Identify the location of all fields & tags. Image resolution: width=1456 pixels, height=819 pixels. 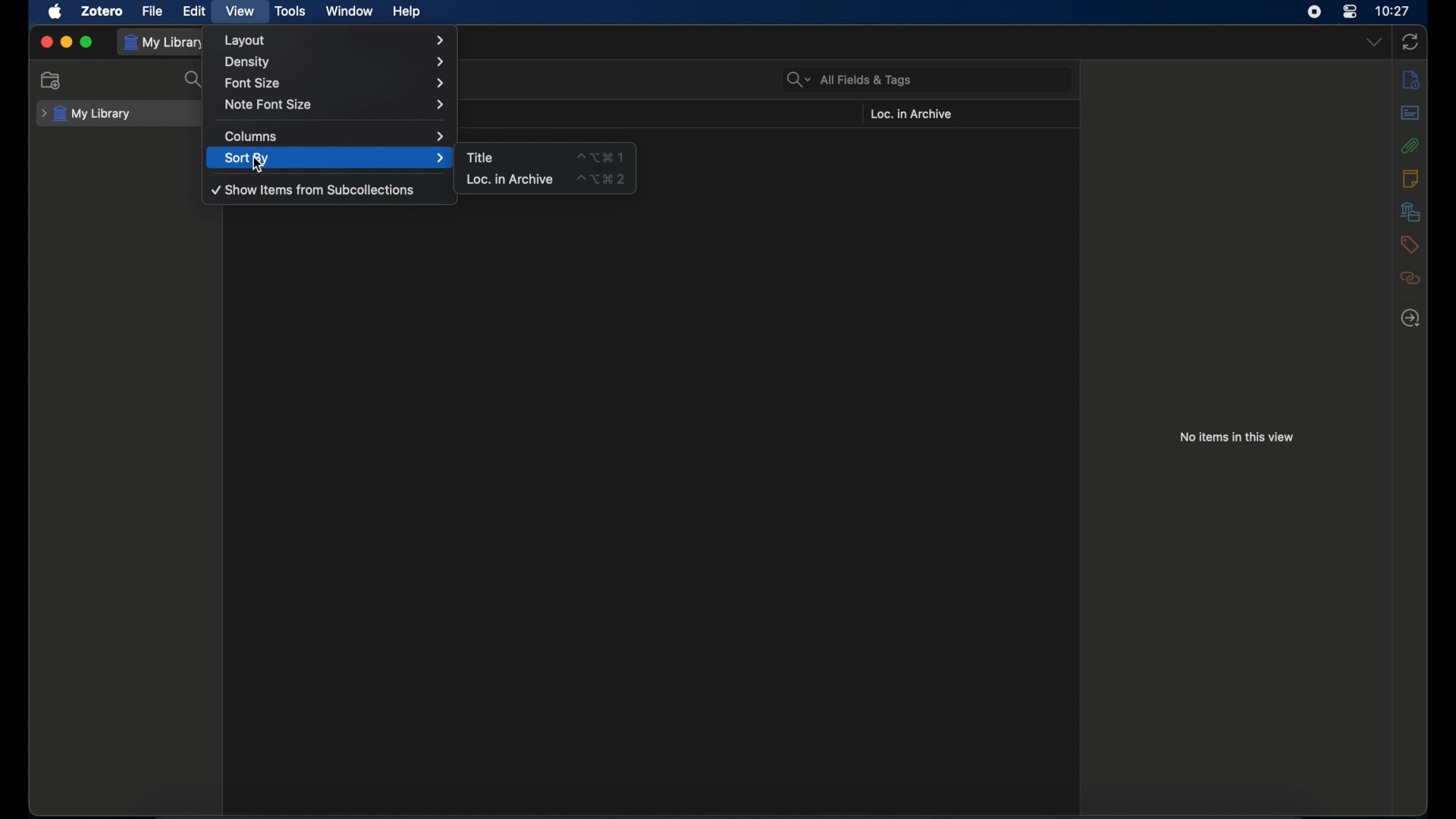
(843, 80).